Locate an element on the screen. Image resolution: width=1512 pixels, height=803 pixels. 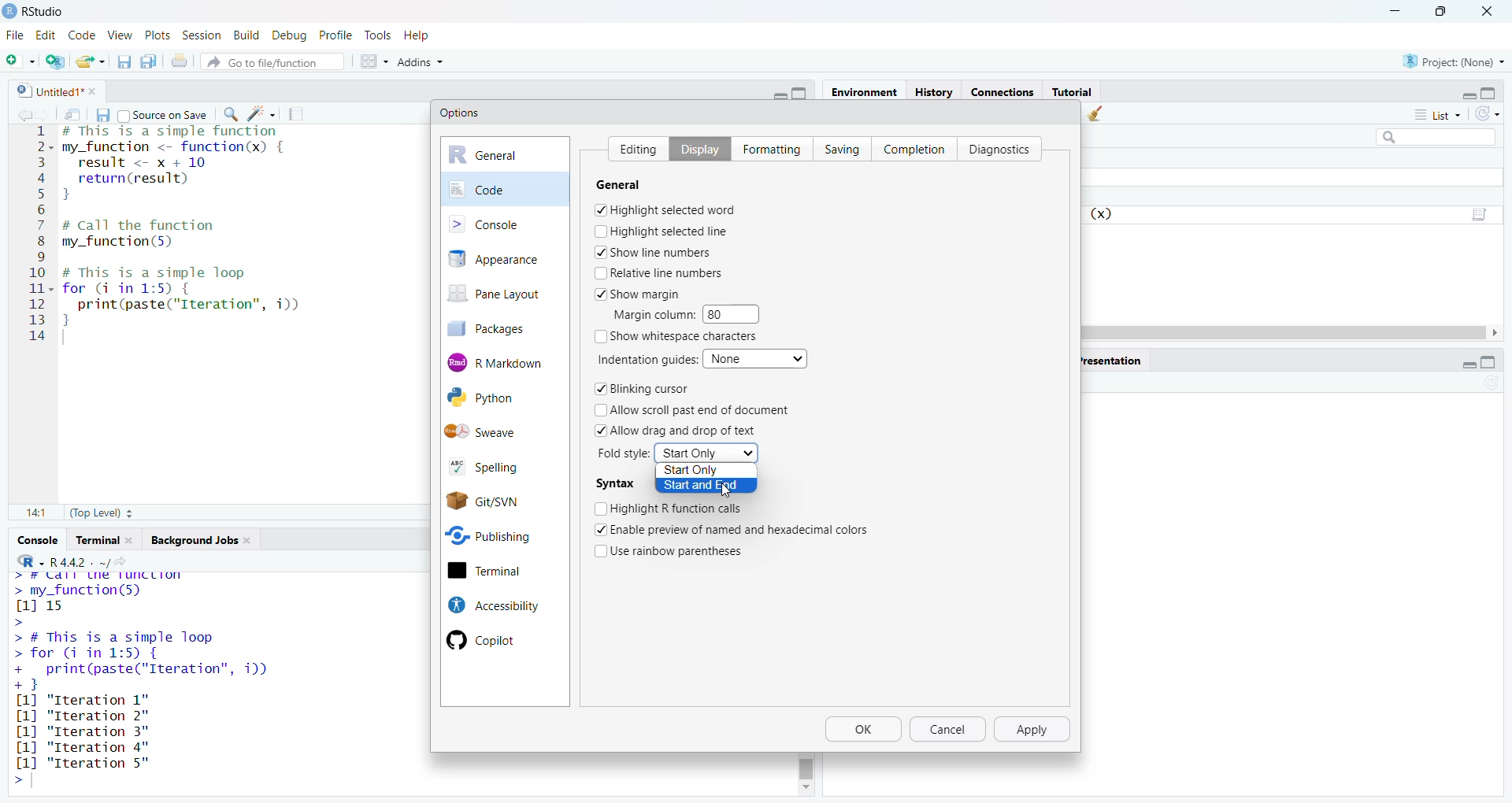
close  is located at coordinates (134, 540).